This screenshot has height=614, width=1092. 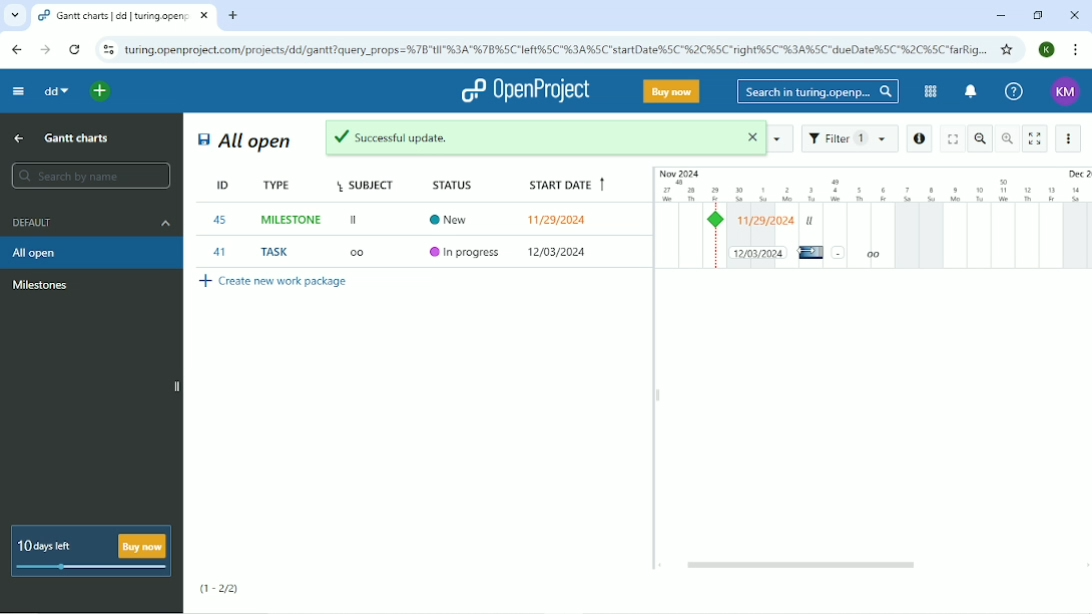 I want to click on New duration, so click(x=758, y=252).